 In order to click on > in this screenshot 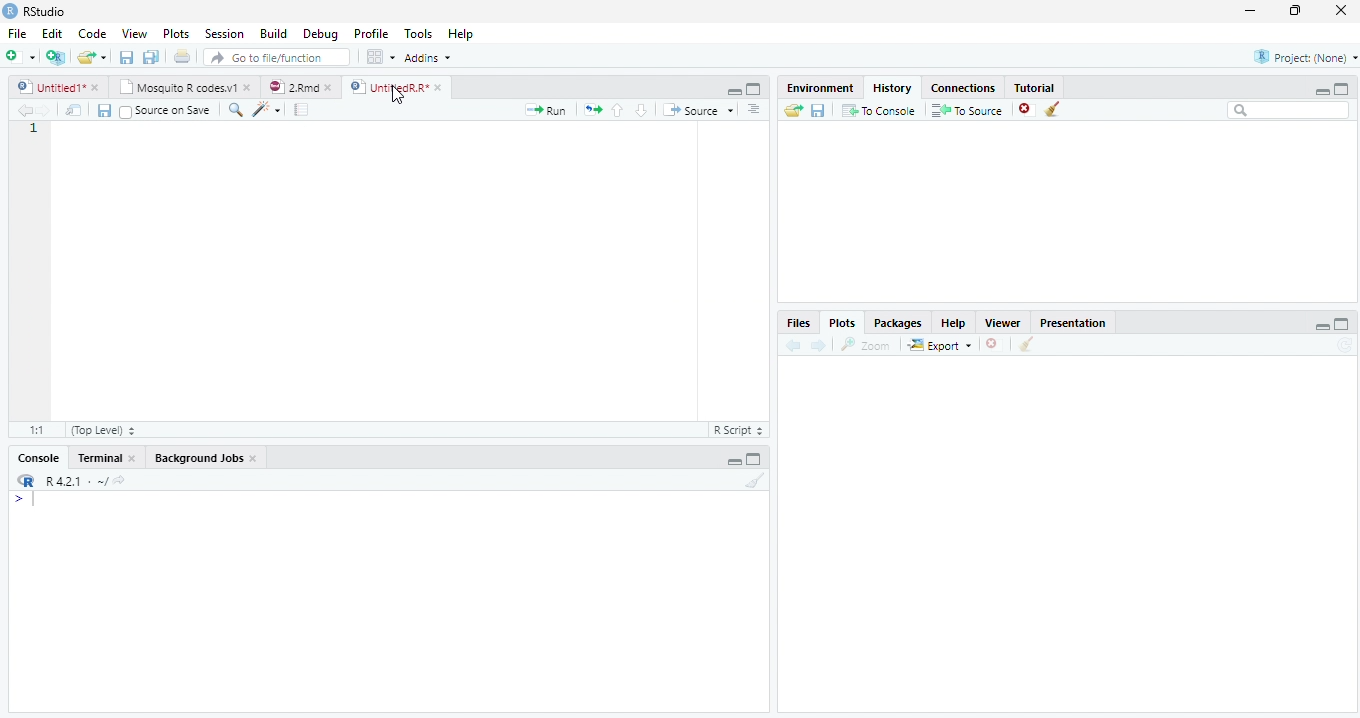, I will do `click(13, 498)`.